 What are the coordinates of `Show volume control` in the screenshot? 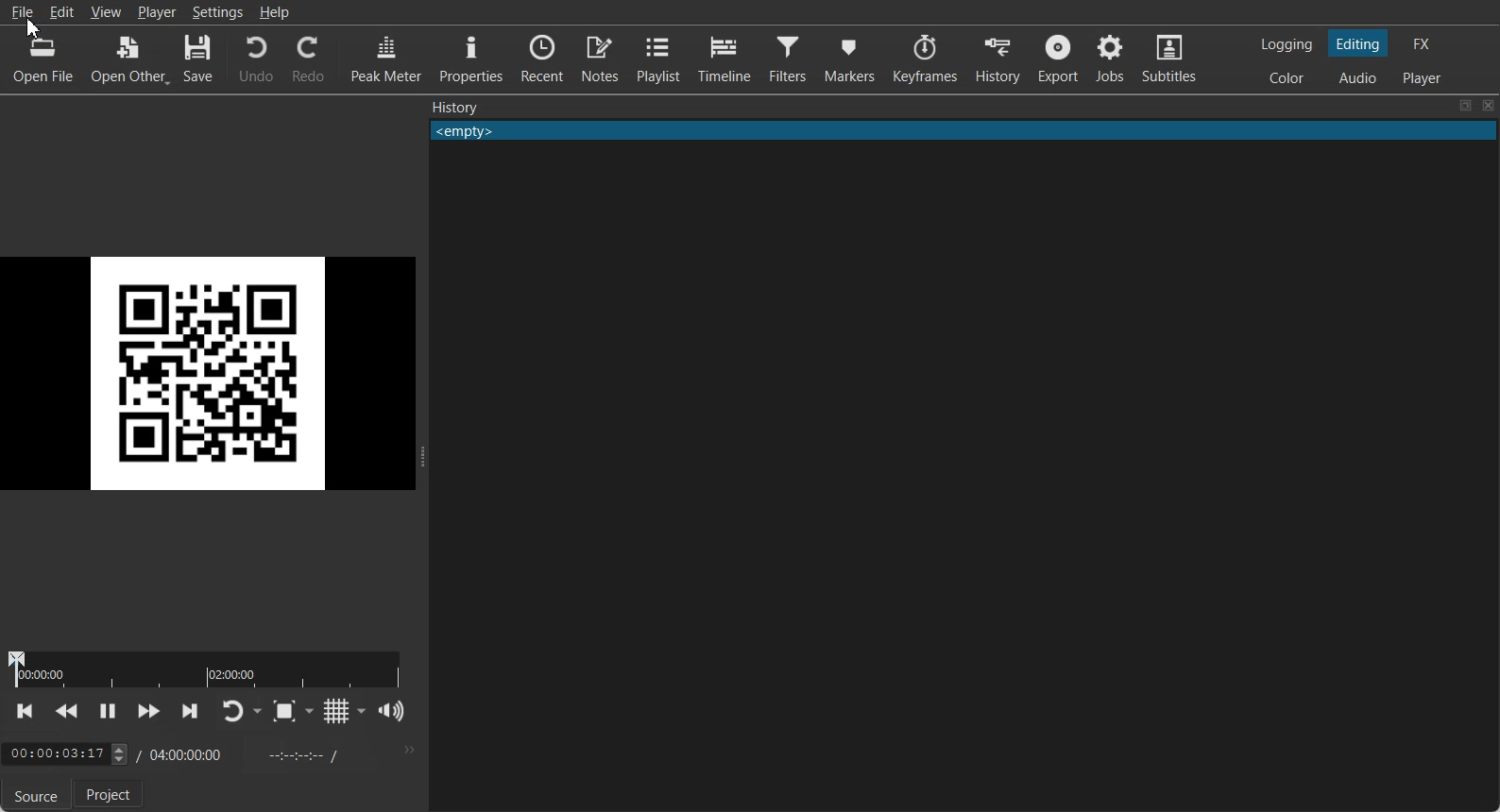 It's located at (392, 711).